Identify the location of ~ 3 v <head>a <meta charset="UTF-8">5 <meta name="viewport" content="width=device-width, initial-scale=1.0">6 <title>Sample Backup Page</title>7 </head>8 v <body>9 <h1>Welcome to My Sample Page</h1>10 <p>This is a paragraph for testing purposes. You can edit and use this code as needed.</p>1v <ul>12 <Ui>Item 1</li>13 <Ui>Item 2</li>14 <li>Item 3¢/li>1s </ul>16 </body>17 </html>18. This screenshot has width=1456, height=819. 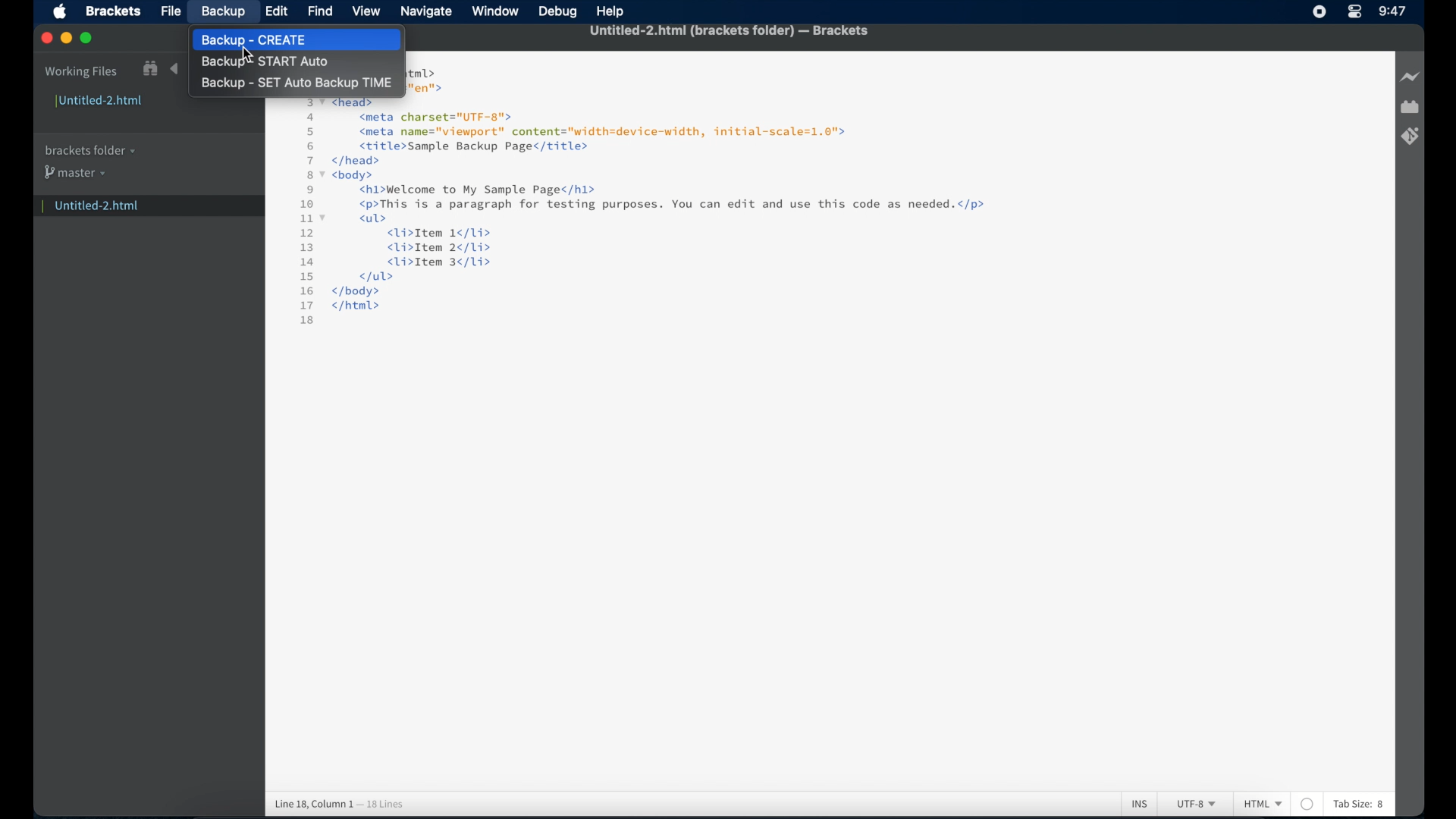
(647, 214).